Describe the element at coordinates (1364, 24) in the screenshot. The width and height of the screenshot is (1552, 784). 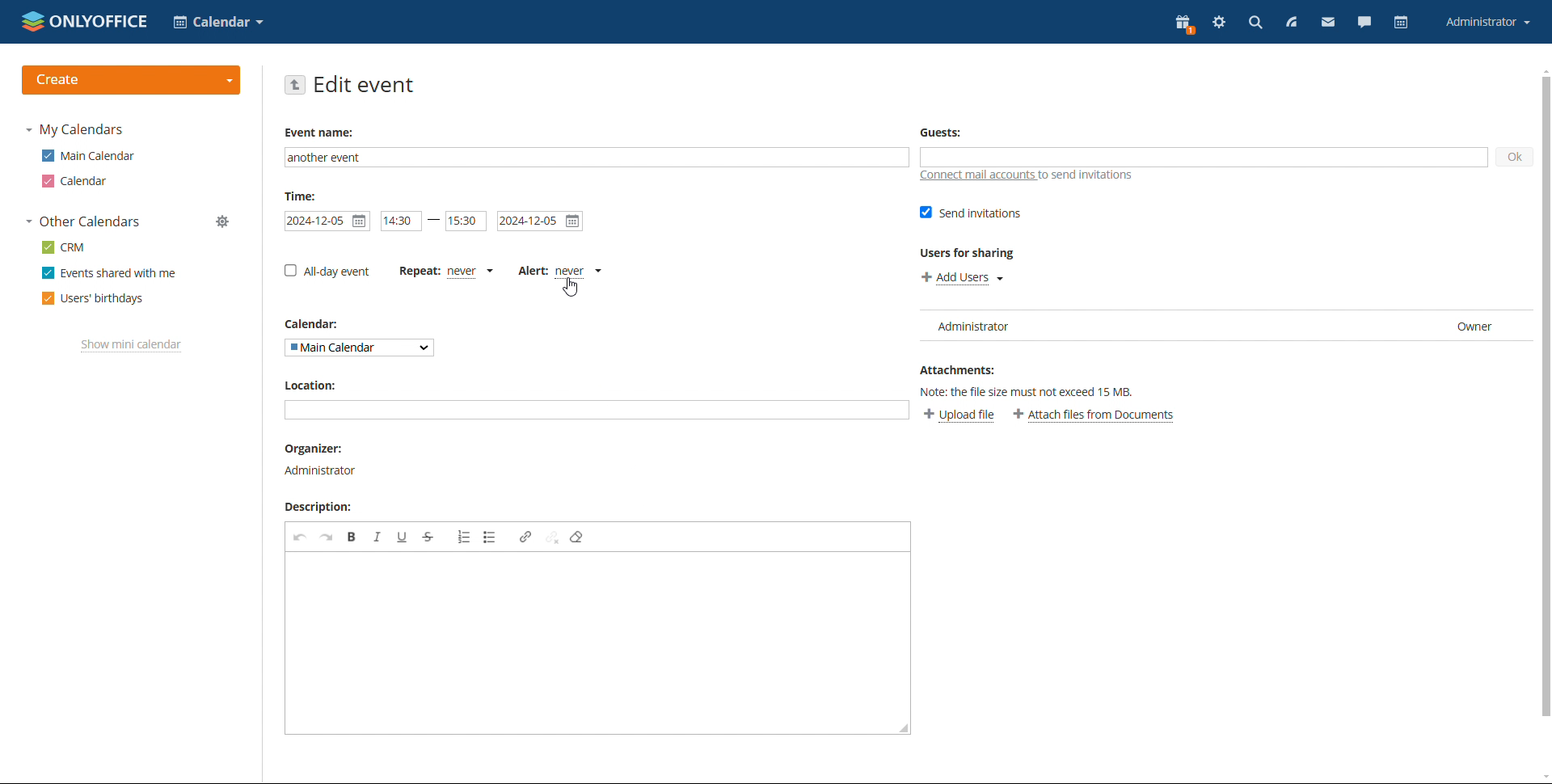
I see `chat` at that location.